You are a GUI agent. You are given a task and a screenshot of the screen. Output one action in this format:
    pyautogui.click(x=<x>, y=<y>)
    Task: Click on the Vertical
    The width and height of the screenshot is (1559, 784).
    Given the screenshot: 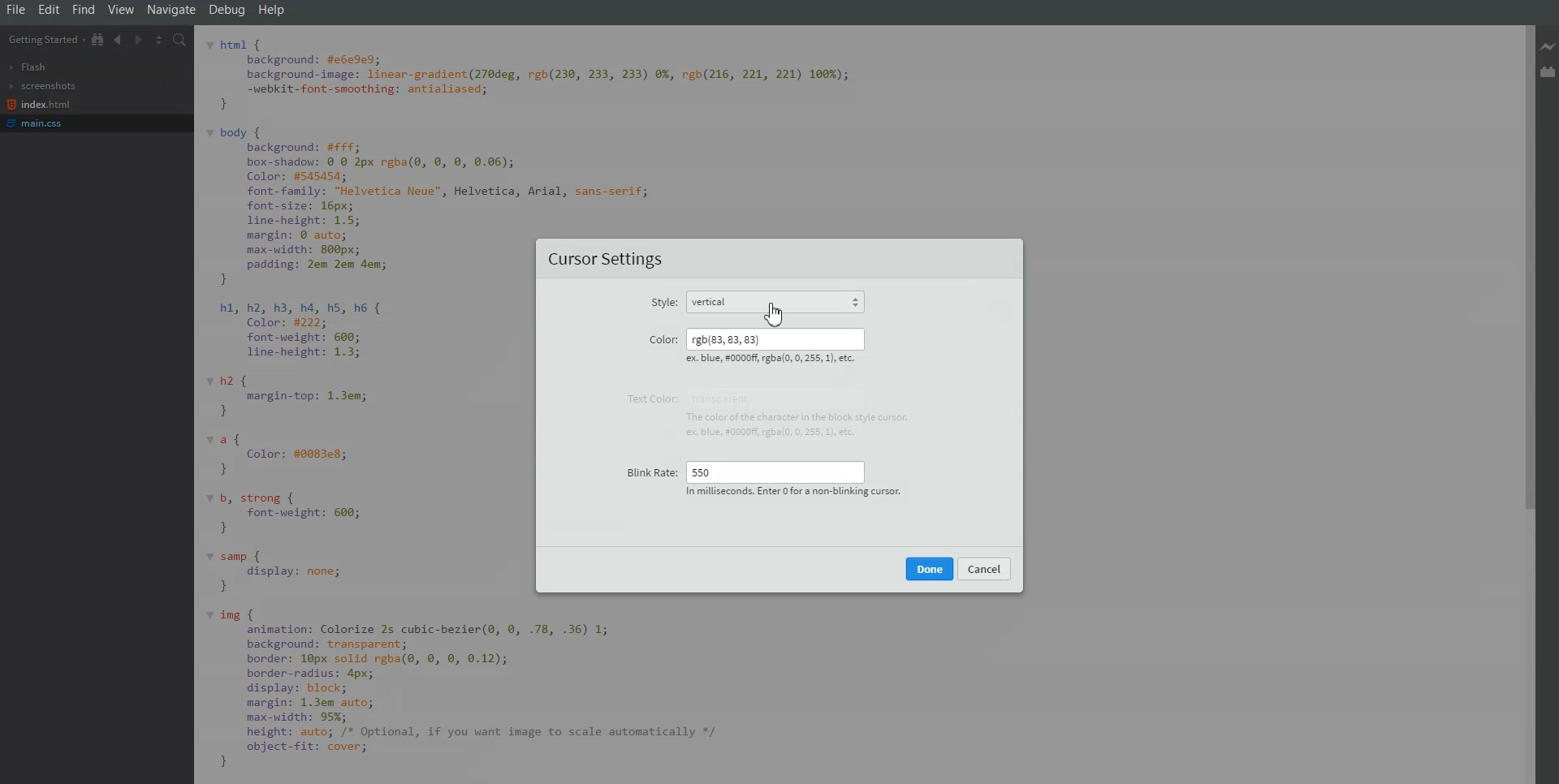 What is the action you would take?
    pyautogui.click(x=784, y=299)
    